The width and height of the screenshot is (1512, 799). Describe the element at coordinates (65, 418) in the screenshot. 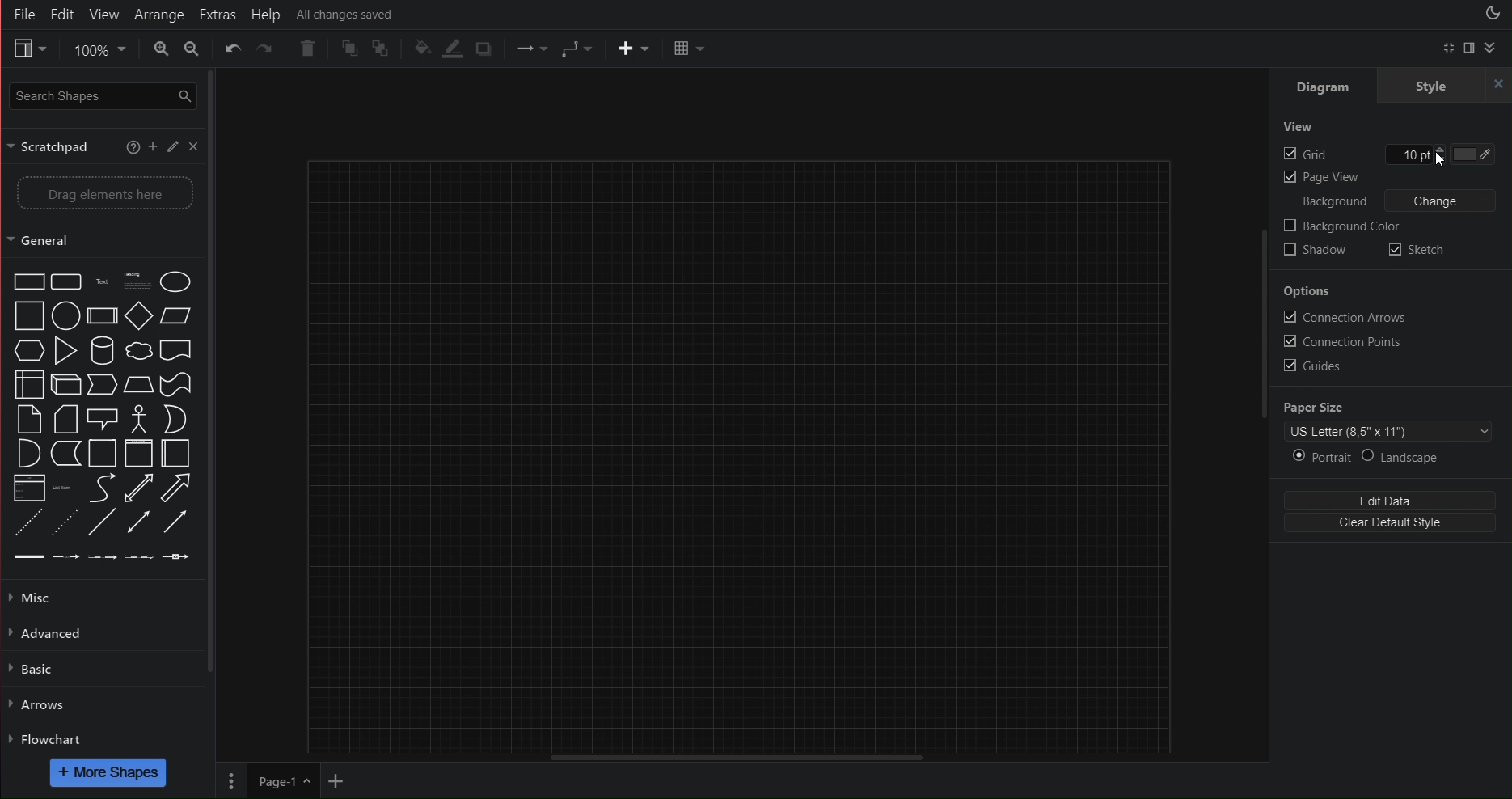

I see `` at that location.